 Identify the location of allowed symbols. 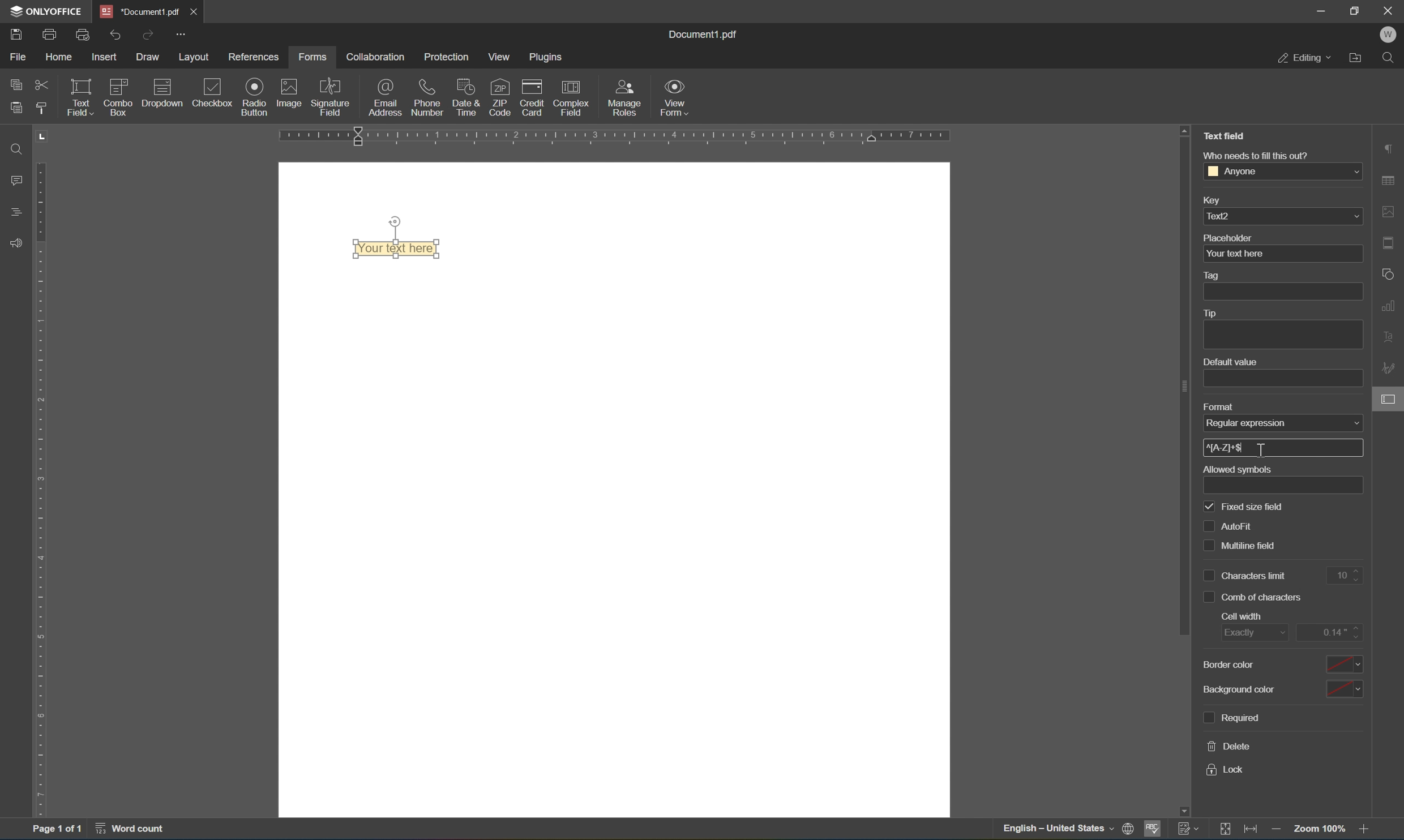
(1240, 470).